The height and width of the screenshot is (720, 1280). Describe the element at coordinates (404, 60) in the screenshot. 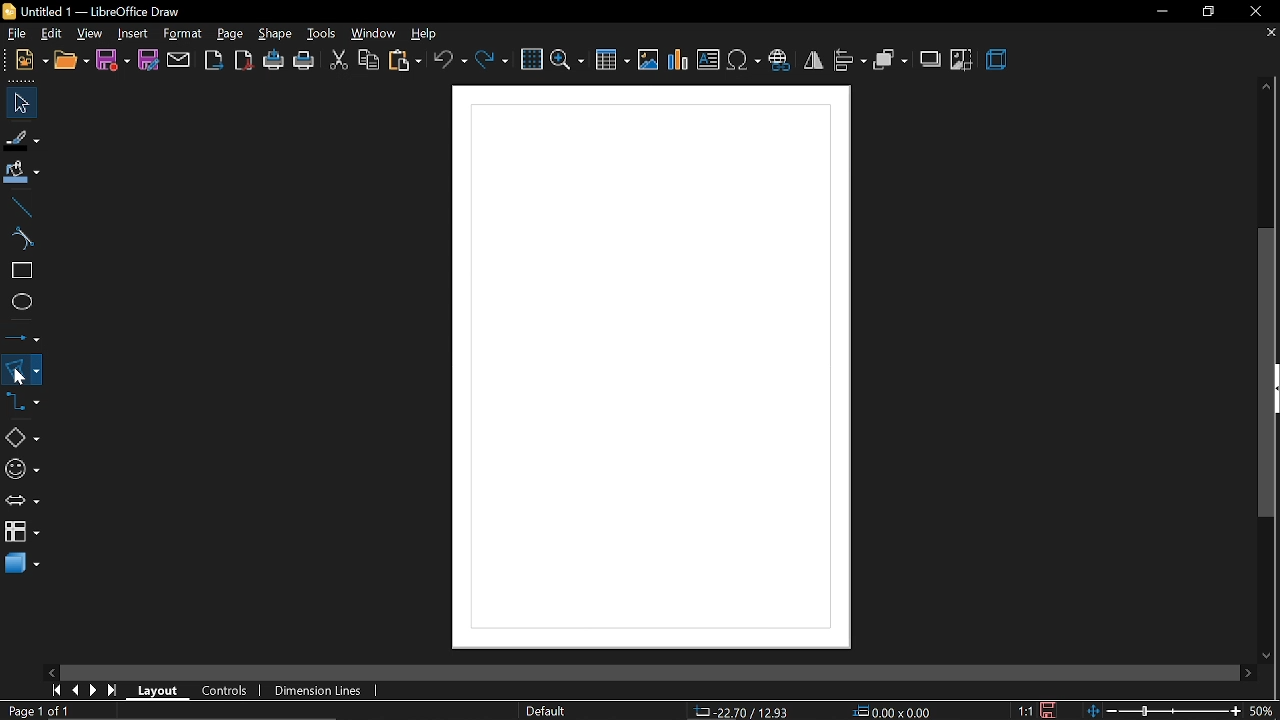

I see `paste` at that location.